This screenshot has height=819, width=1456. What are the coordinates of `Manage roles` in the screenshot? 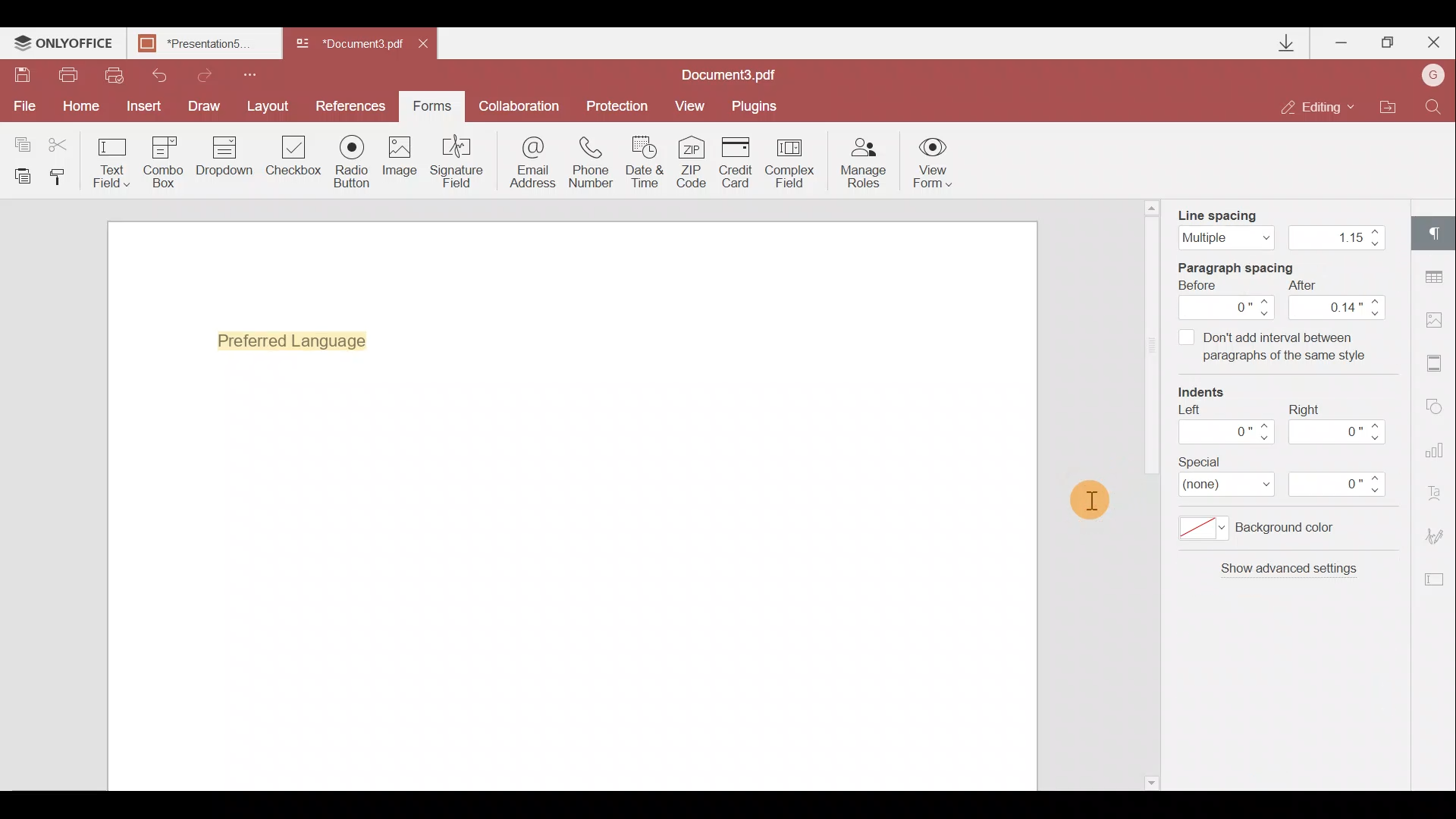 It's located at (863, 163).